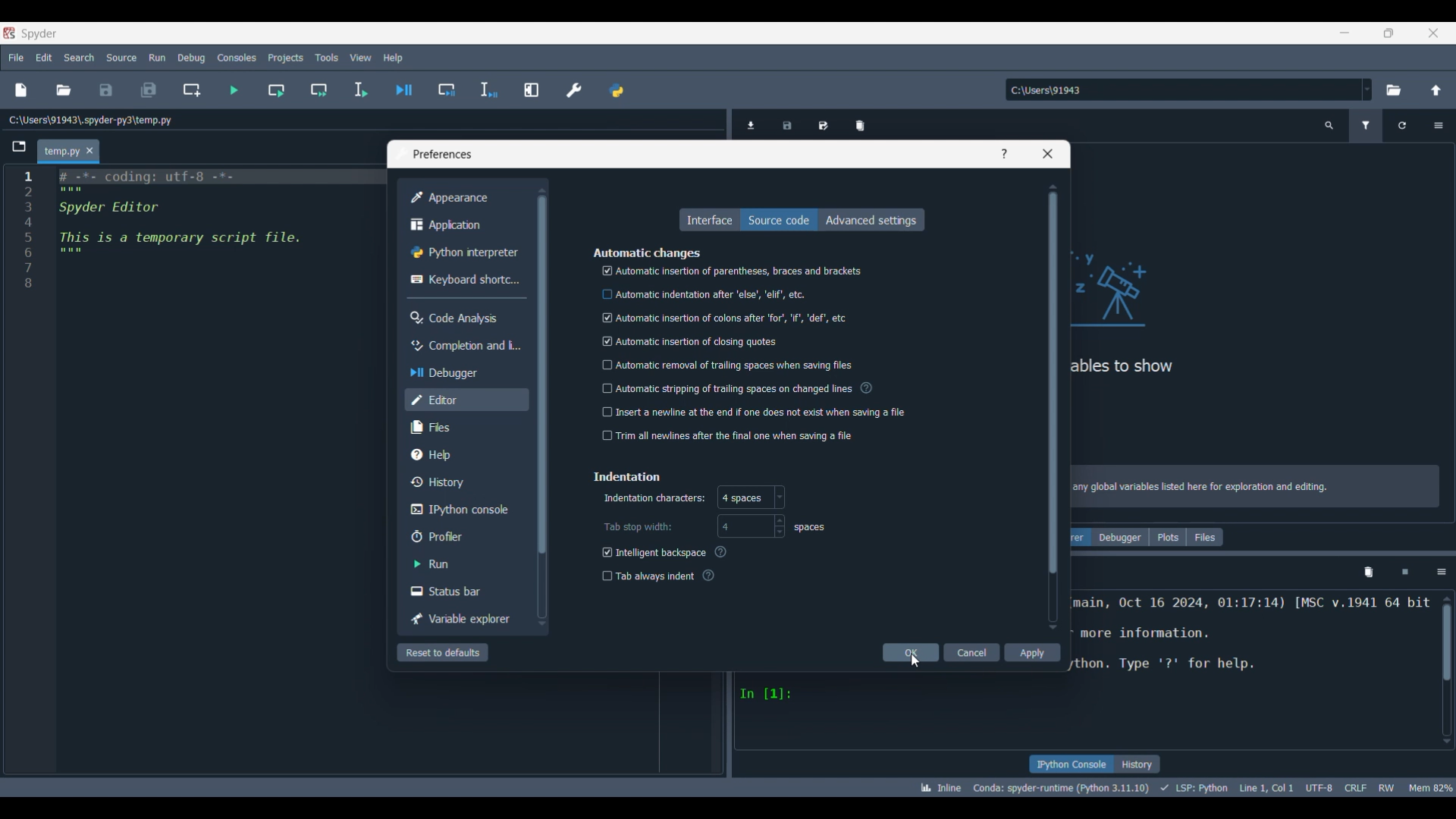  What do you see at coordinates (464, 347) in the screenshot?
I see `Completion and linting` at bounding box center [464, 347].